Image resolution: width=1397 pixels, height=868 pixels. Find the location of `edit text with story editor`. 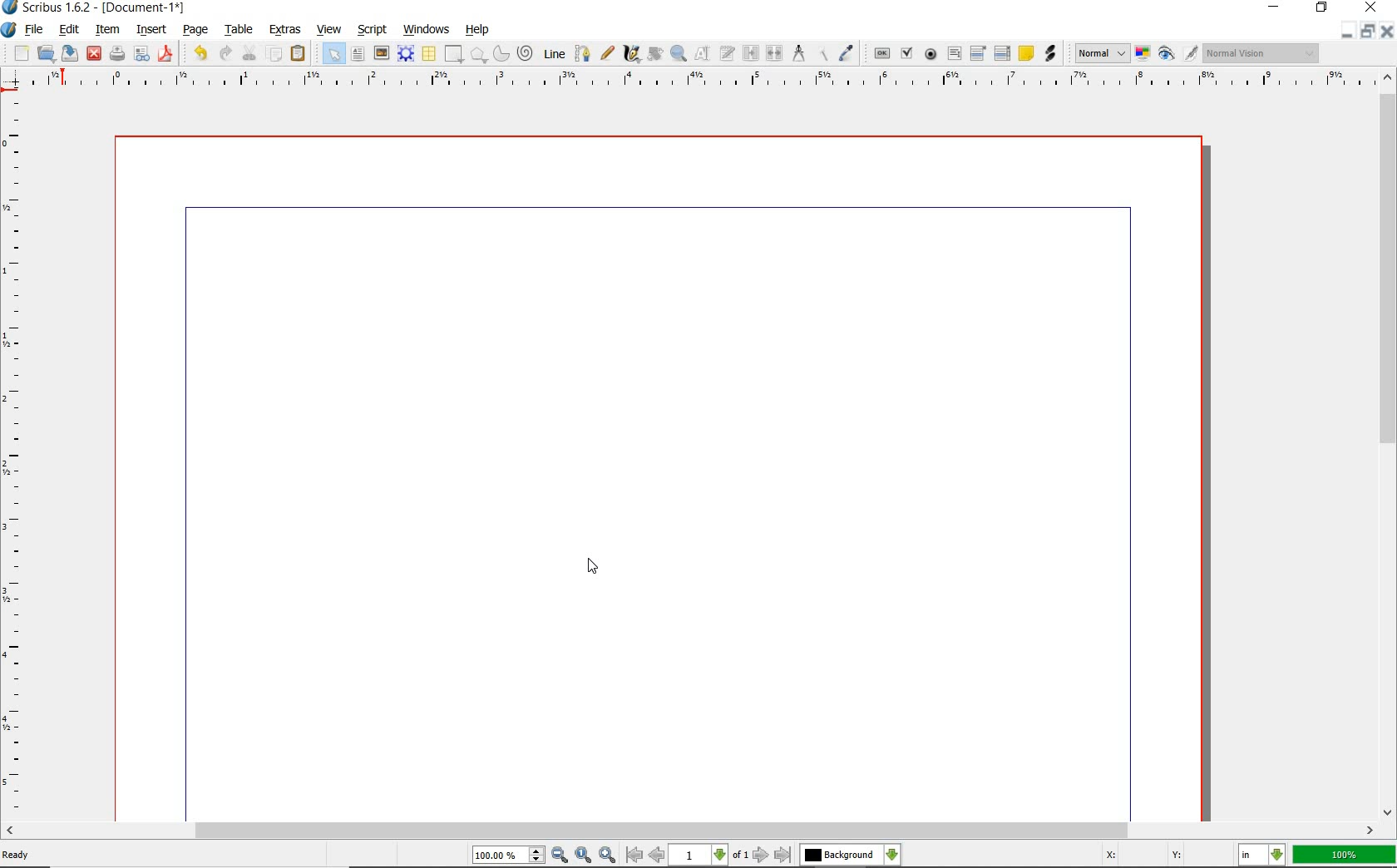

edit text with story editor is located at coordinates (728, 53).